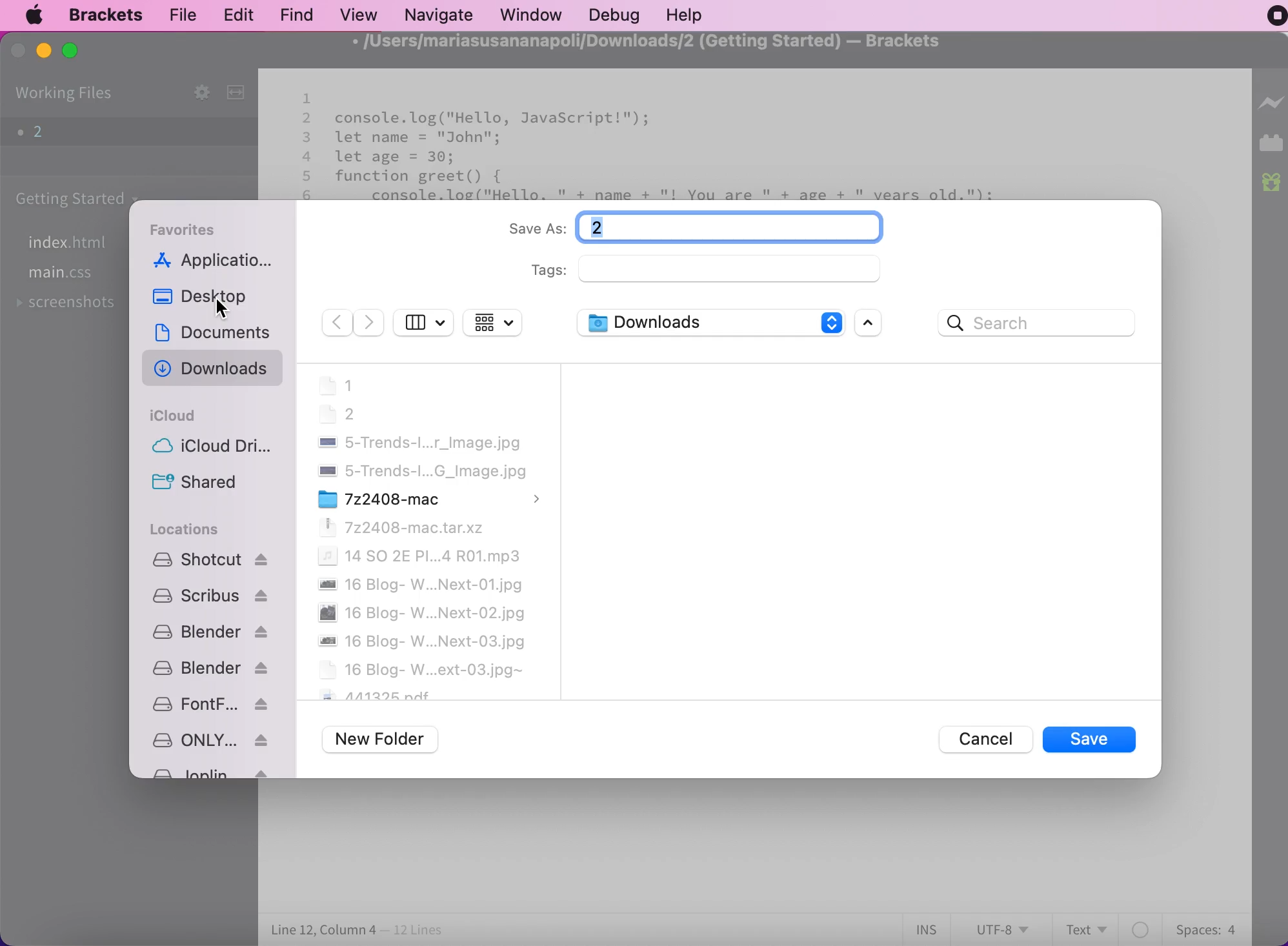 Image resolution: width=1288 pixels, height=946 pixels. What do you see at coordinates (307, 137) in the screenshot?
I see `3` at bounding box center [307, 137].